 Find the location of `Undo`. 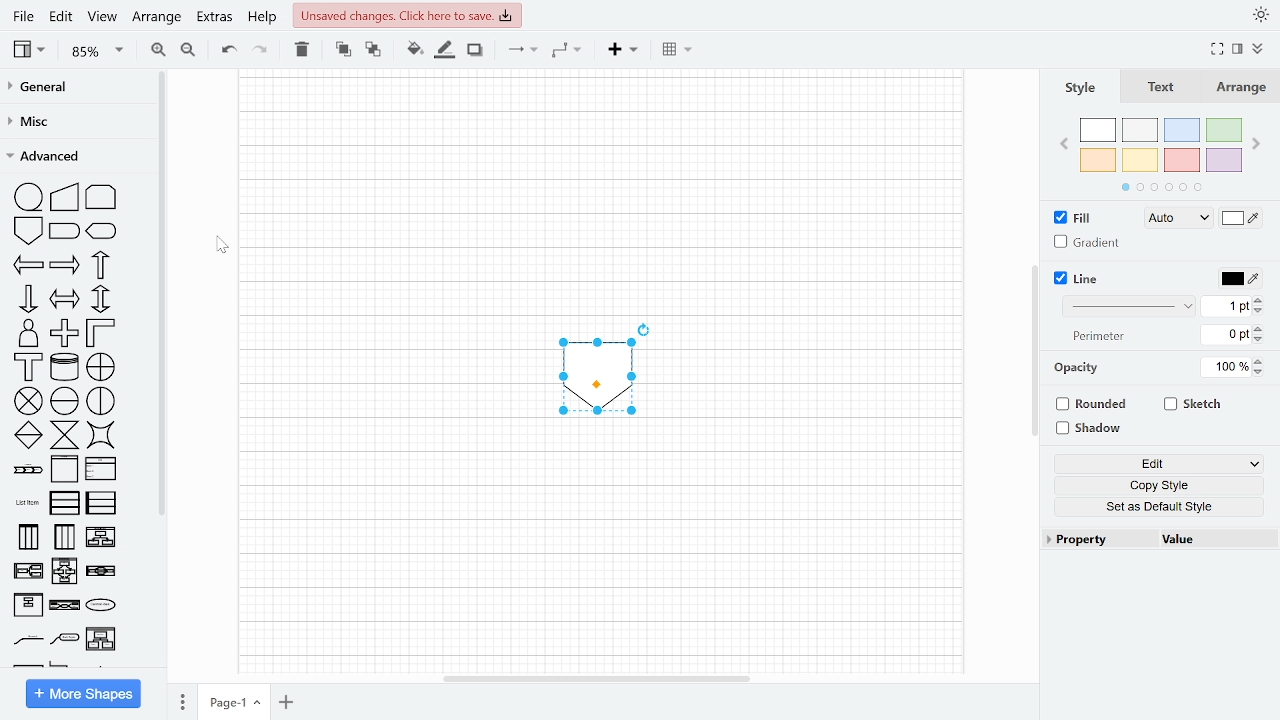

Undo is located at coordinates (227, 52).